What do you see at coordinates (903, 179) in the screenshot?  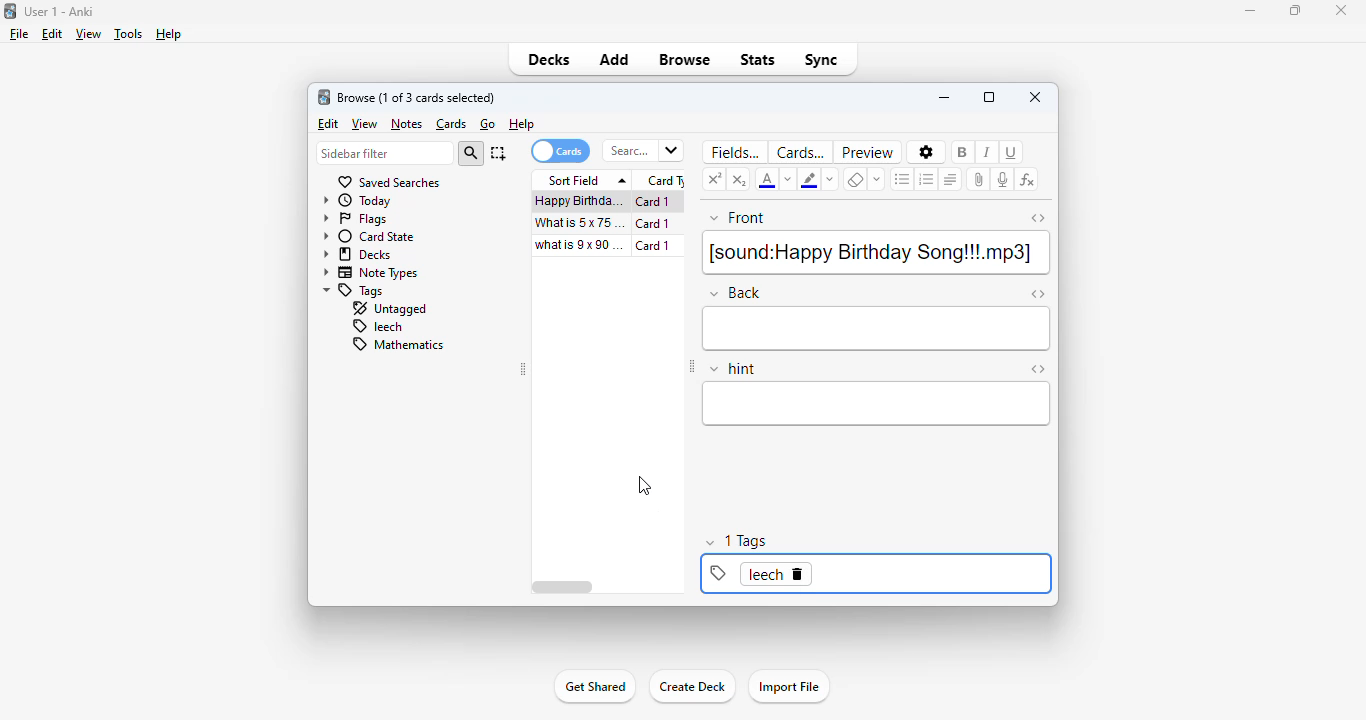 I see `unordered list` at bounding box center [903, 179].